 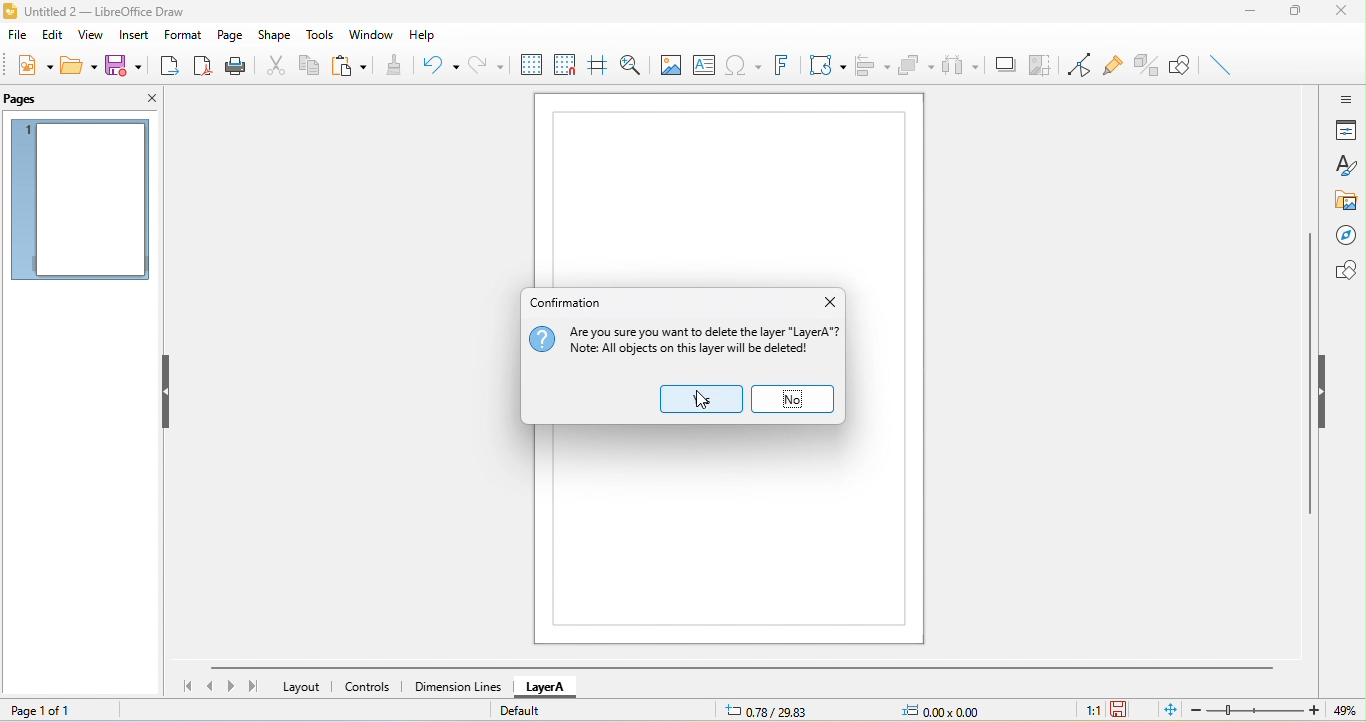 What do you see at coordinates (235, 64) in the screenshot?
I see `print` at bounding box center [235, 64].